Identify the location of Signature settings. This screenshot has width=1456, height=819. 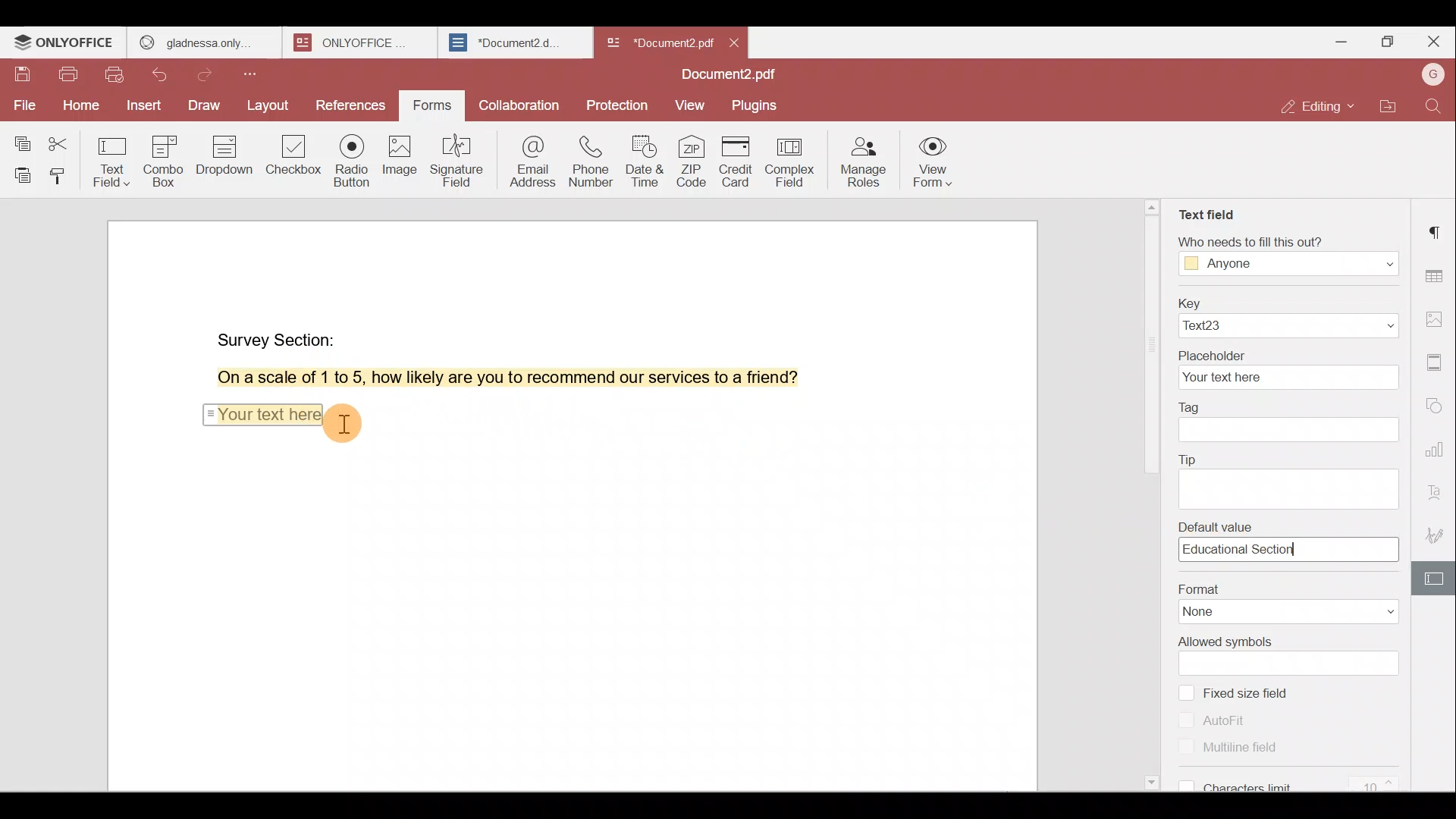
(1439, 534).